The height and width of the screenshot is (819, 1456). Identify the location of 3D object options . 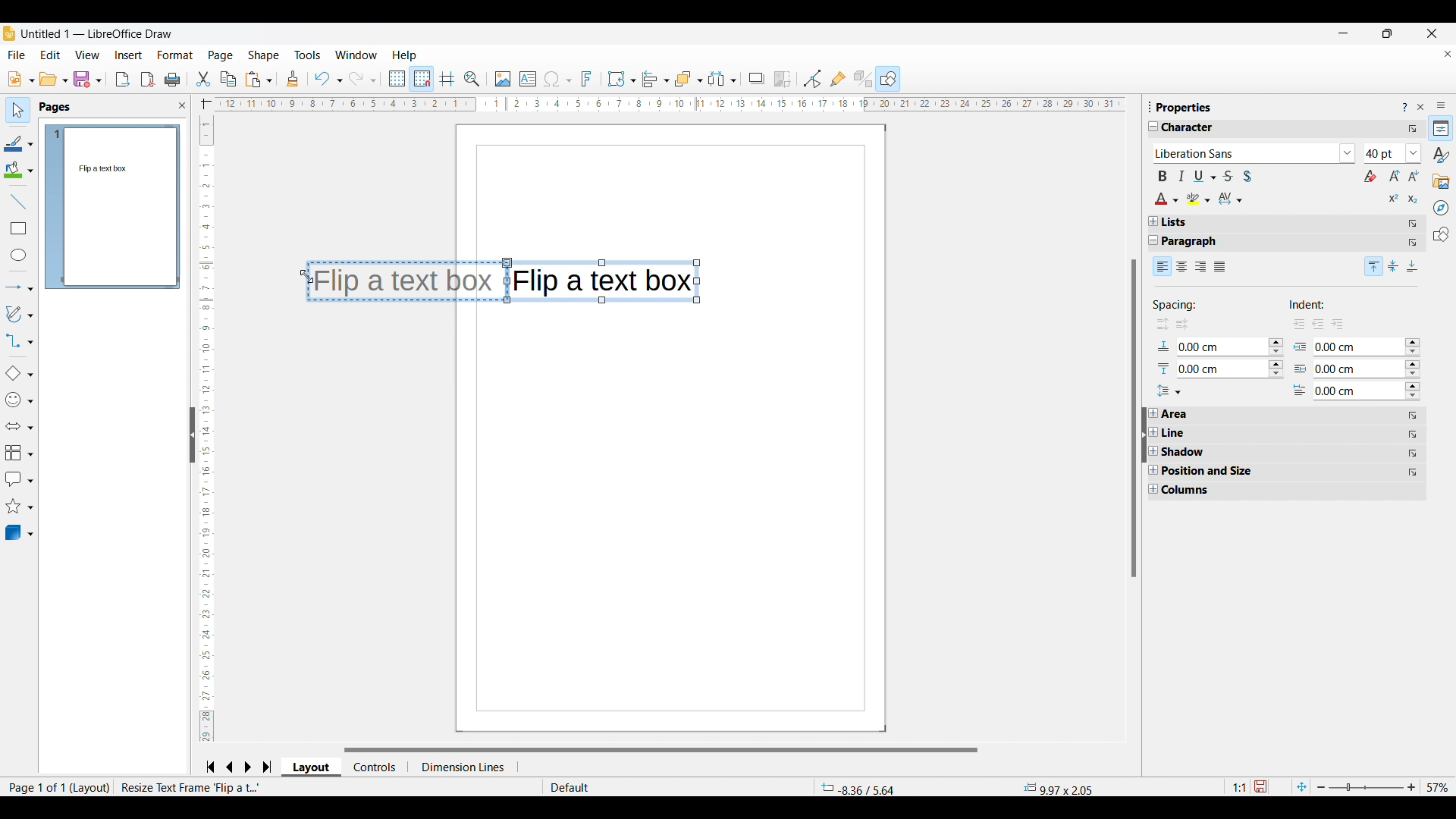
(20, 532).